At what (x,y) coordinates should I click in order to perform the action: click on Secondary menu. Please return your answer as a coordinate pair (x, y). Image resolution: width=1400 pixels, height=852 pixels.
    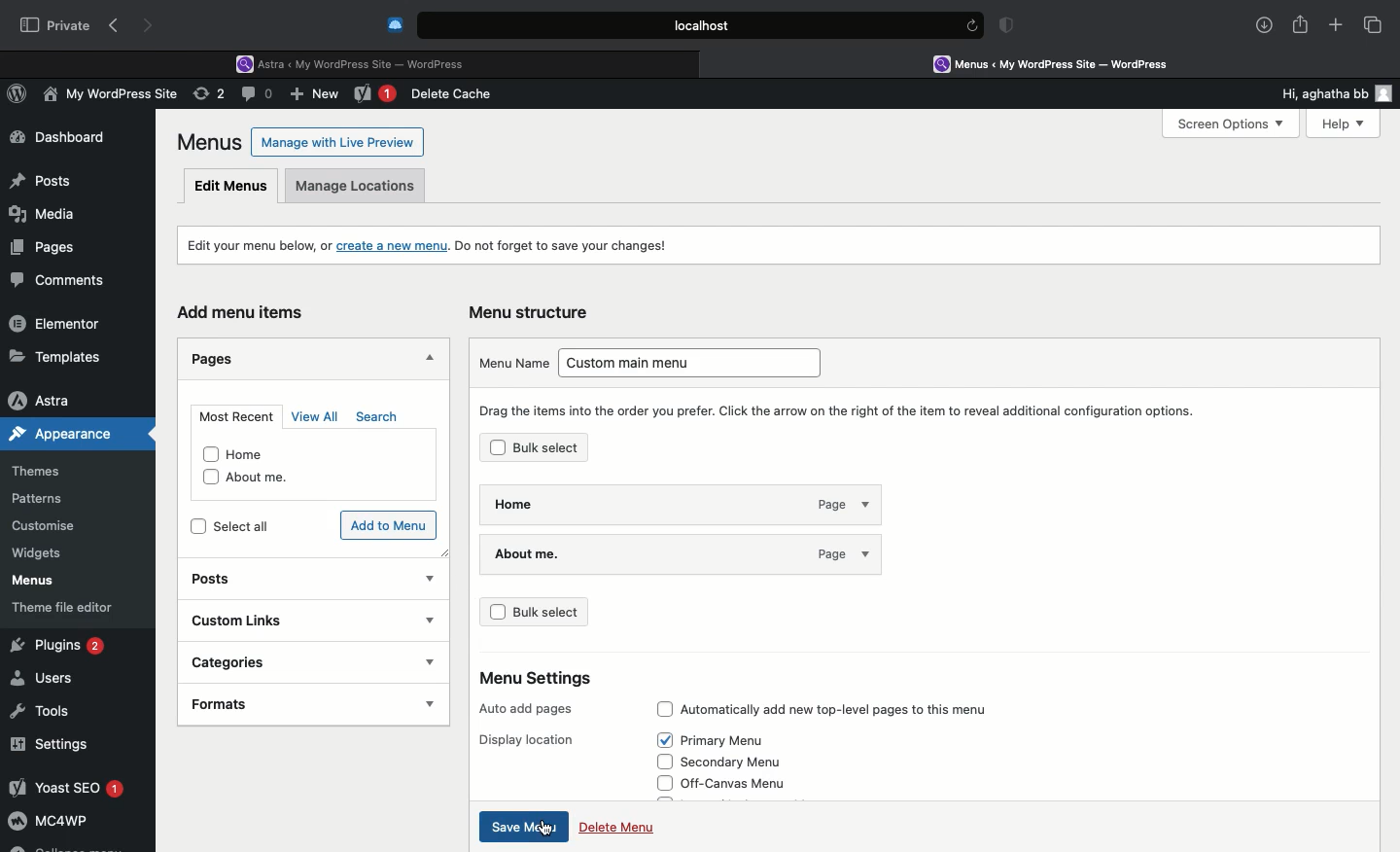
    Looking at the image, I should click on (744, 763).